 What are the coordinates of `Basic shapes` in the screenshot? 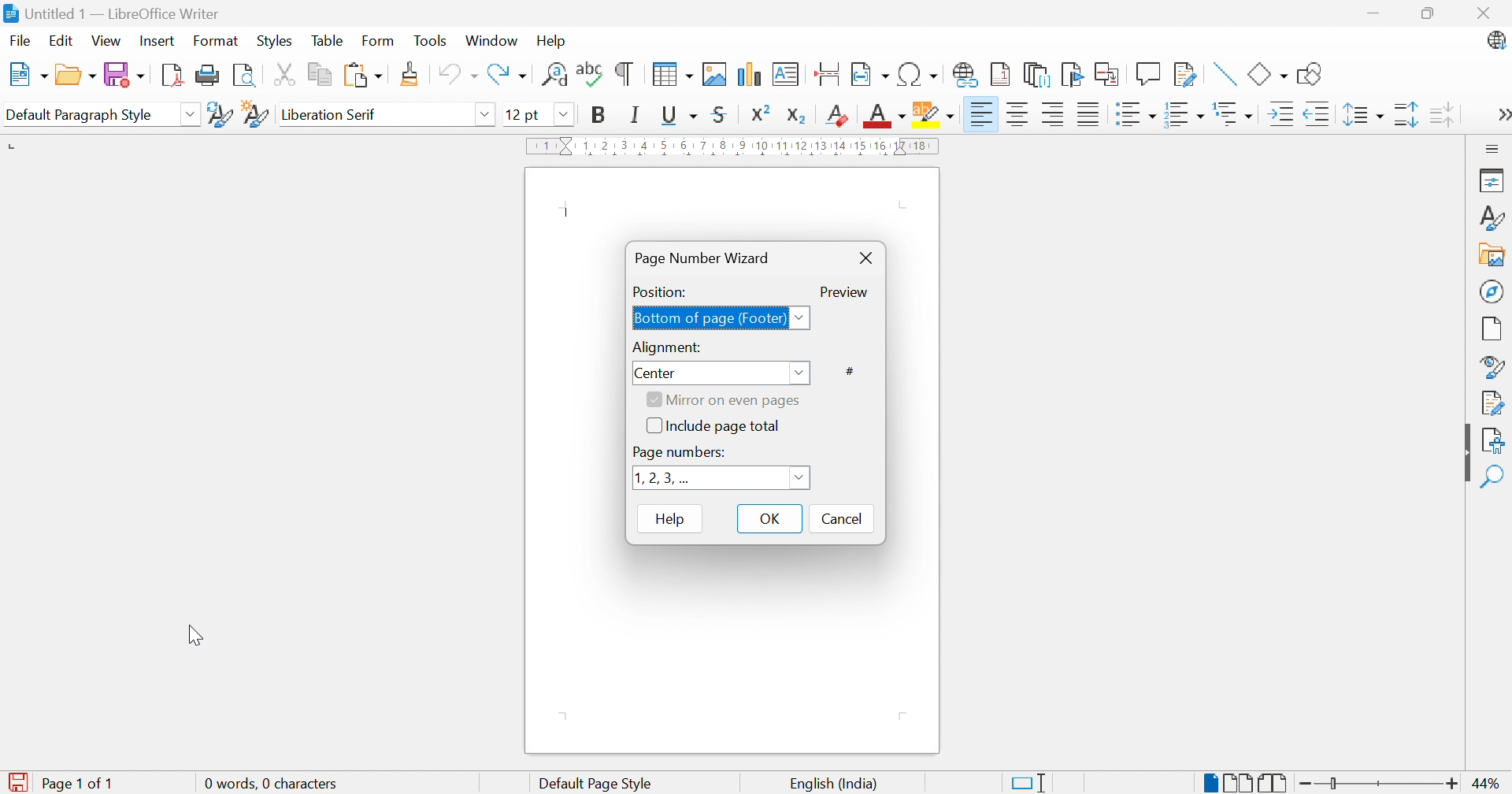 It's located at (1267, 76).